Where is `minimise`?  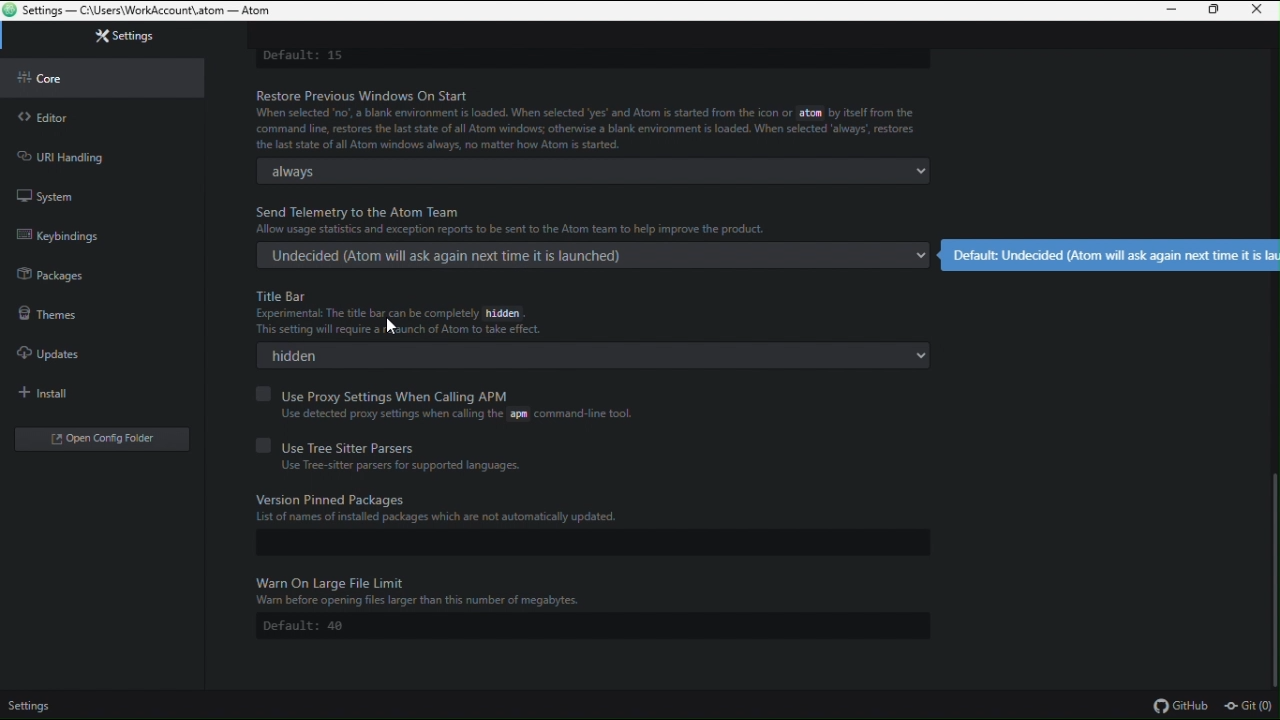 minimise is located at coordinates (1171, 12).